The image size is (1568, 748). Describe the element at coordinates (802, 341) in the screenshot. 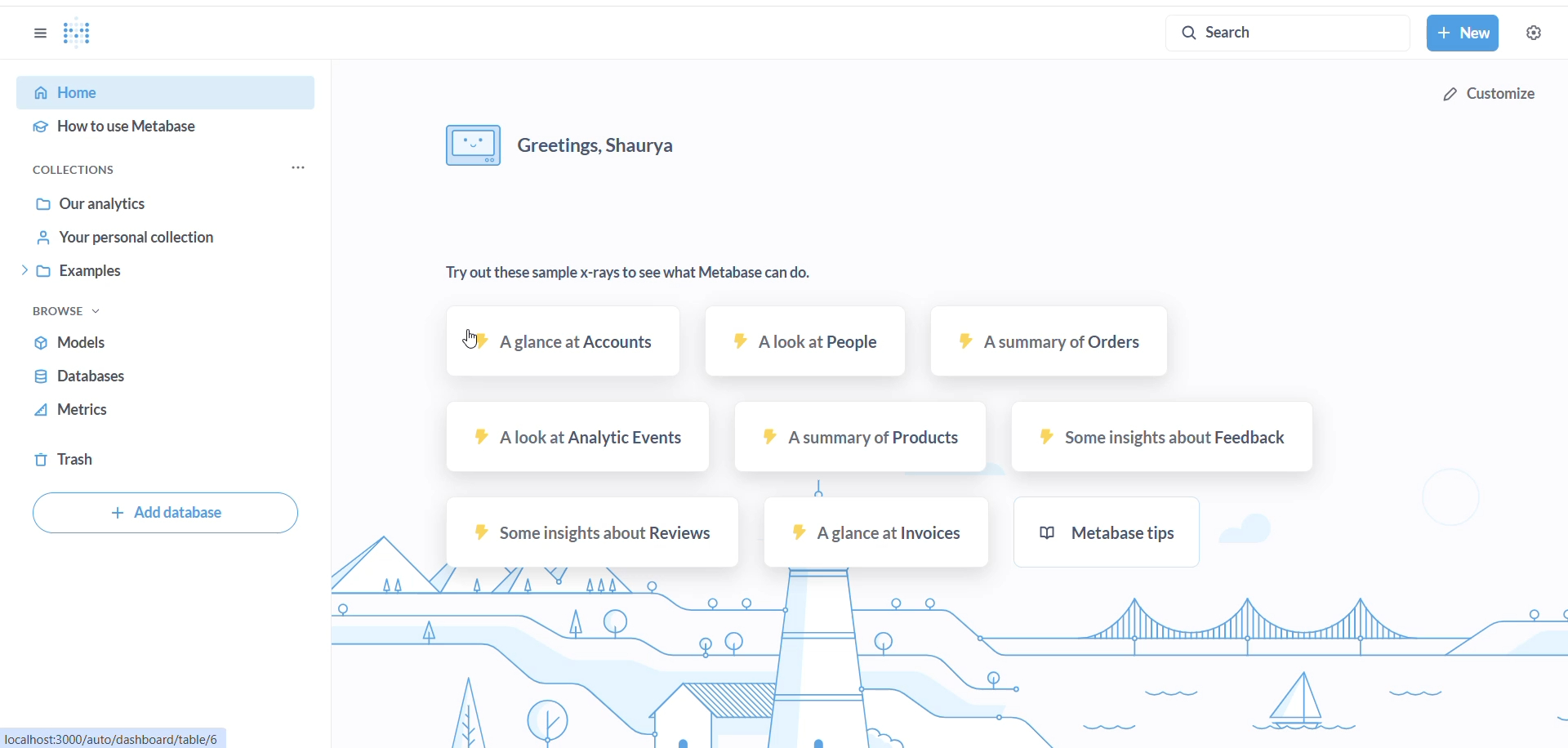

I see `A look at people sample` at that location.